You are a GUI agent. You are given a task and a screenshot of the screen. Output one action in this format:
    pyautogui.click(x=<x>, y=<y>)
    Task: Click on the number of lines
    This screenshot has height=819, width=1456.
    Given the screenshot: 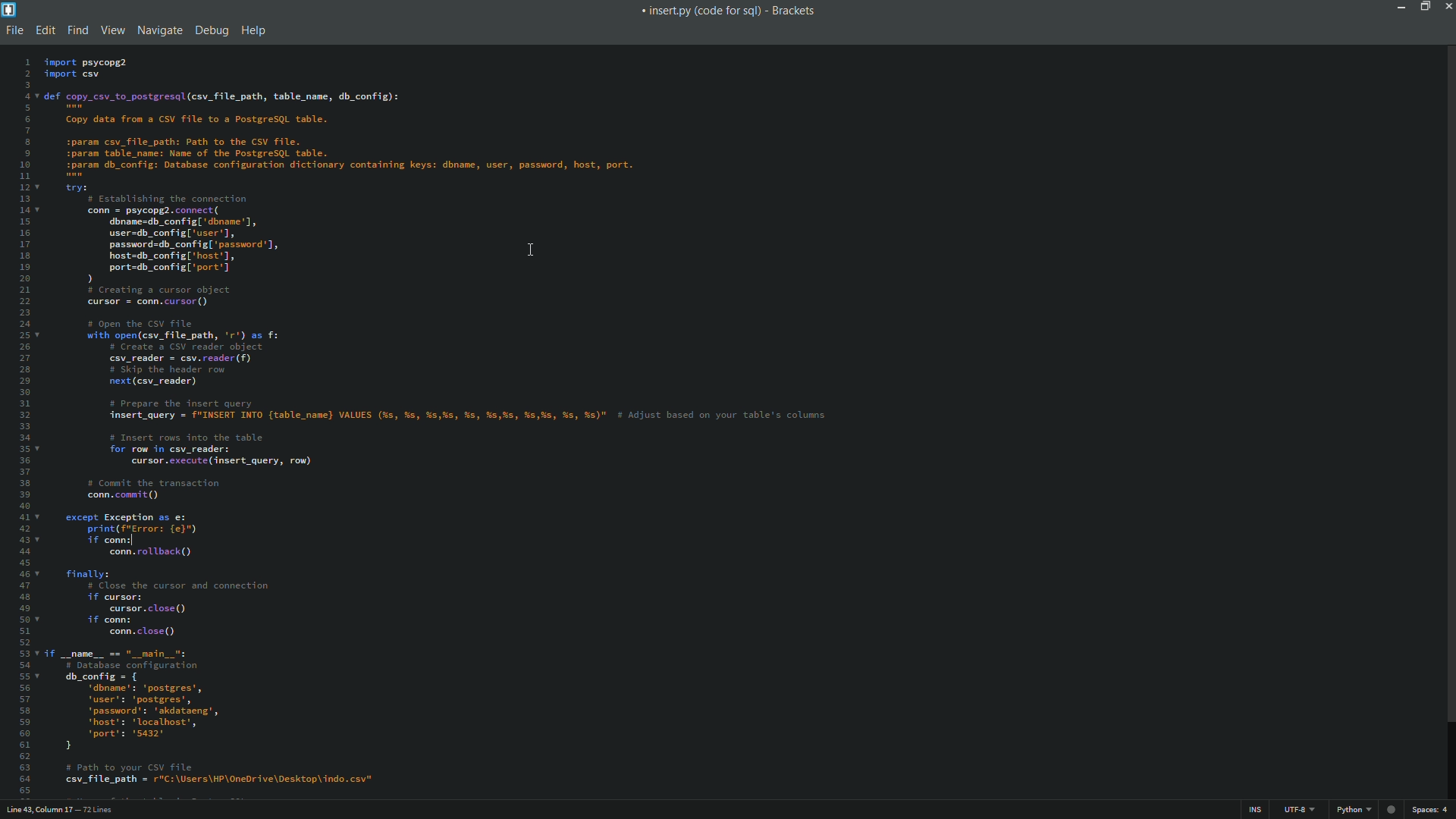 What is the action you would take?
    pyautogui.click(x=98, y=811)
    